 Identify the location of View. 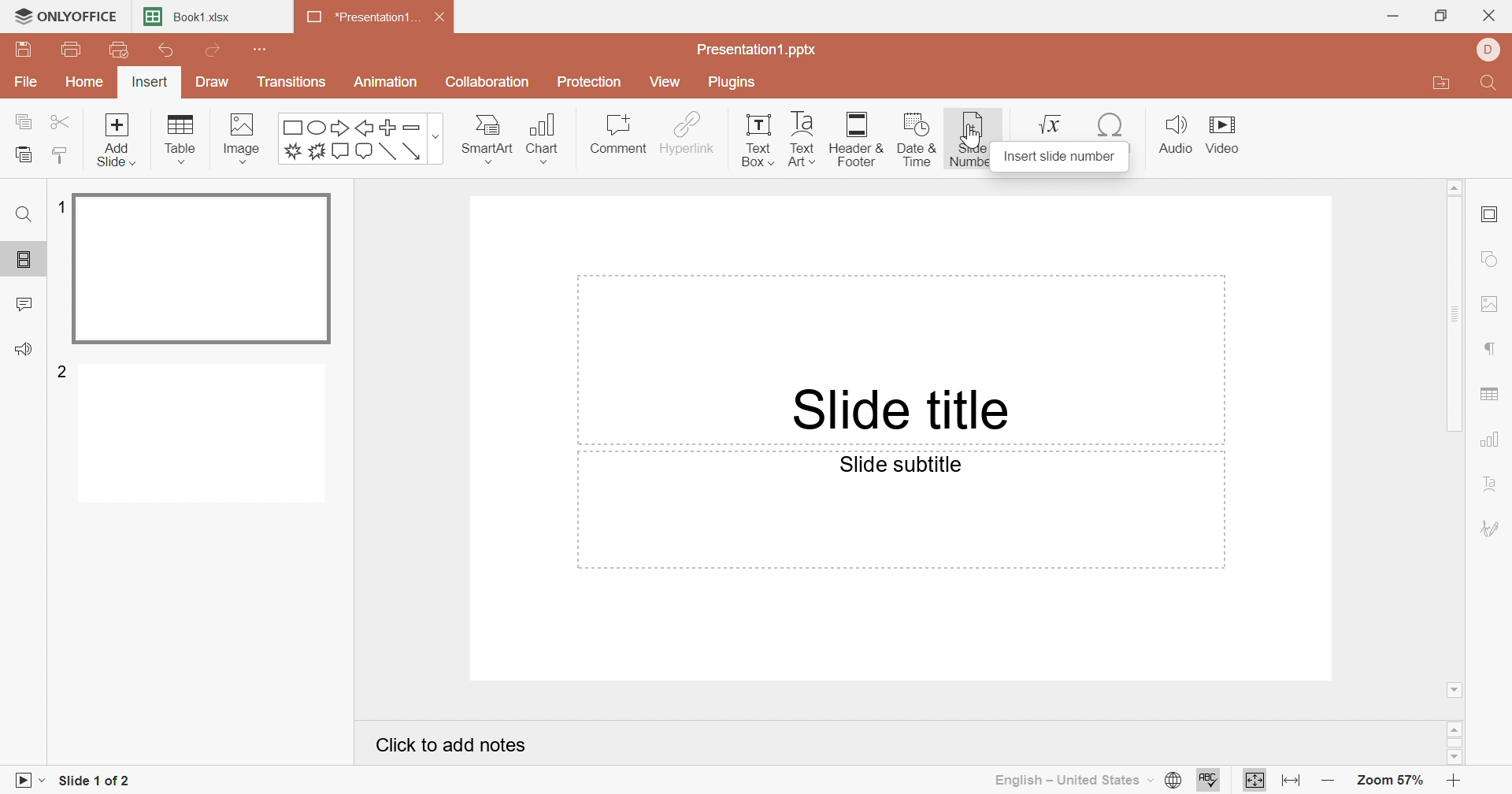
(664, 81).